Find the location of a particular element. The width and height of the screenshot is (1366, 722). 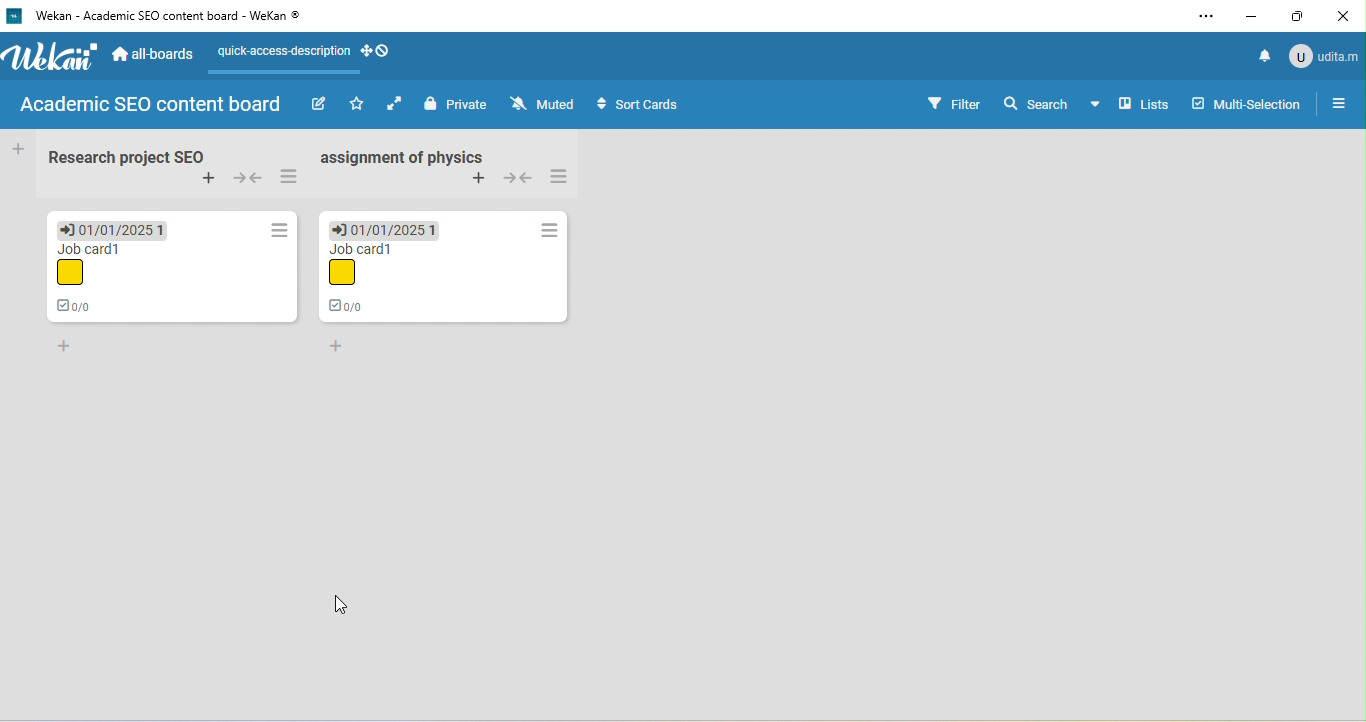

click to star is located at coordinates (357, 105).